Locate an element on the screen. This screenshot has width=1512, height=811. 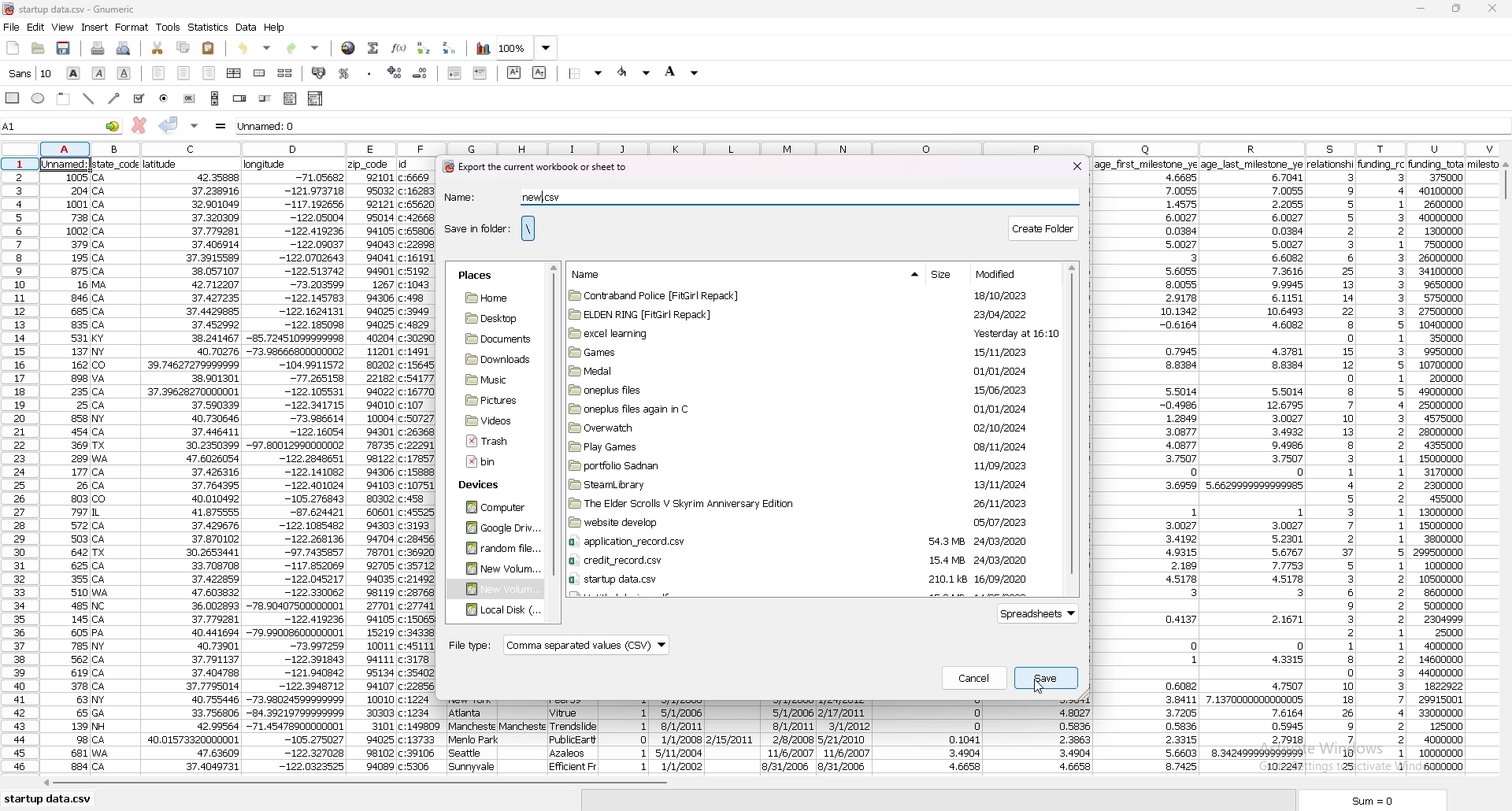
folder is located at coordinates (495, 359).